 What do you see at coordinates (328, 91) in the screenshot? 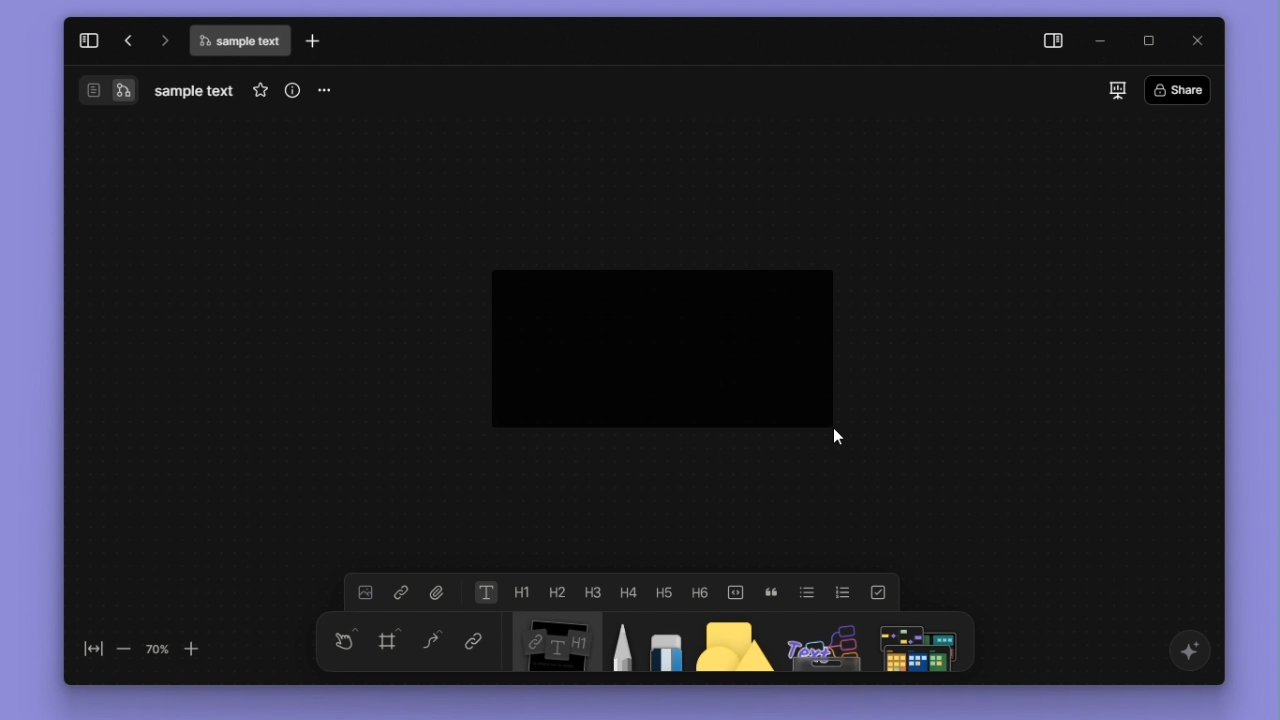
I see `more options` at bounding box center [328, 91].